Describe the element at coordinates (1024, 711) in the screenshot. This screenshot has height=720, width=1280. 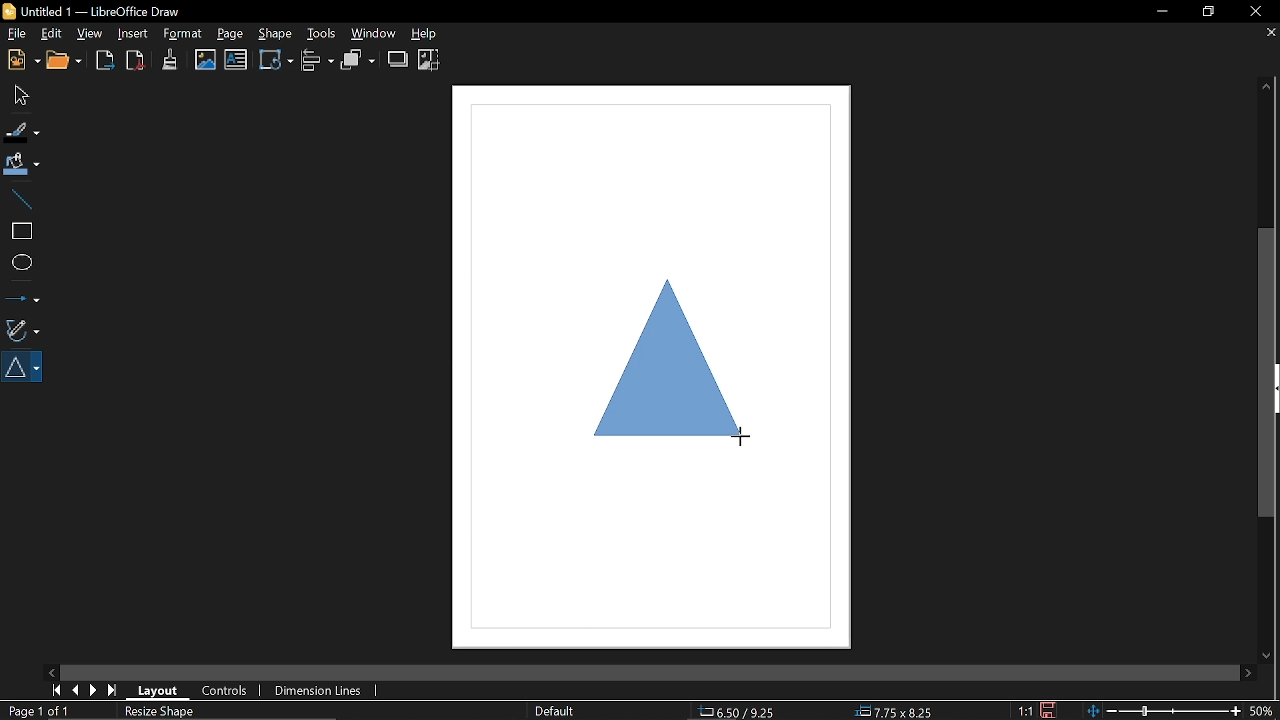
I see `Scaling factor` at that location.